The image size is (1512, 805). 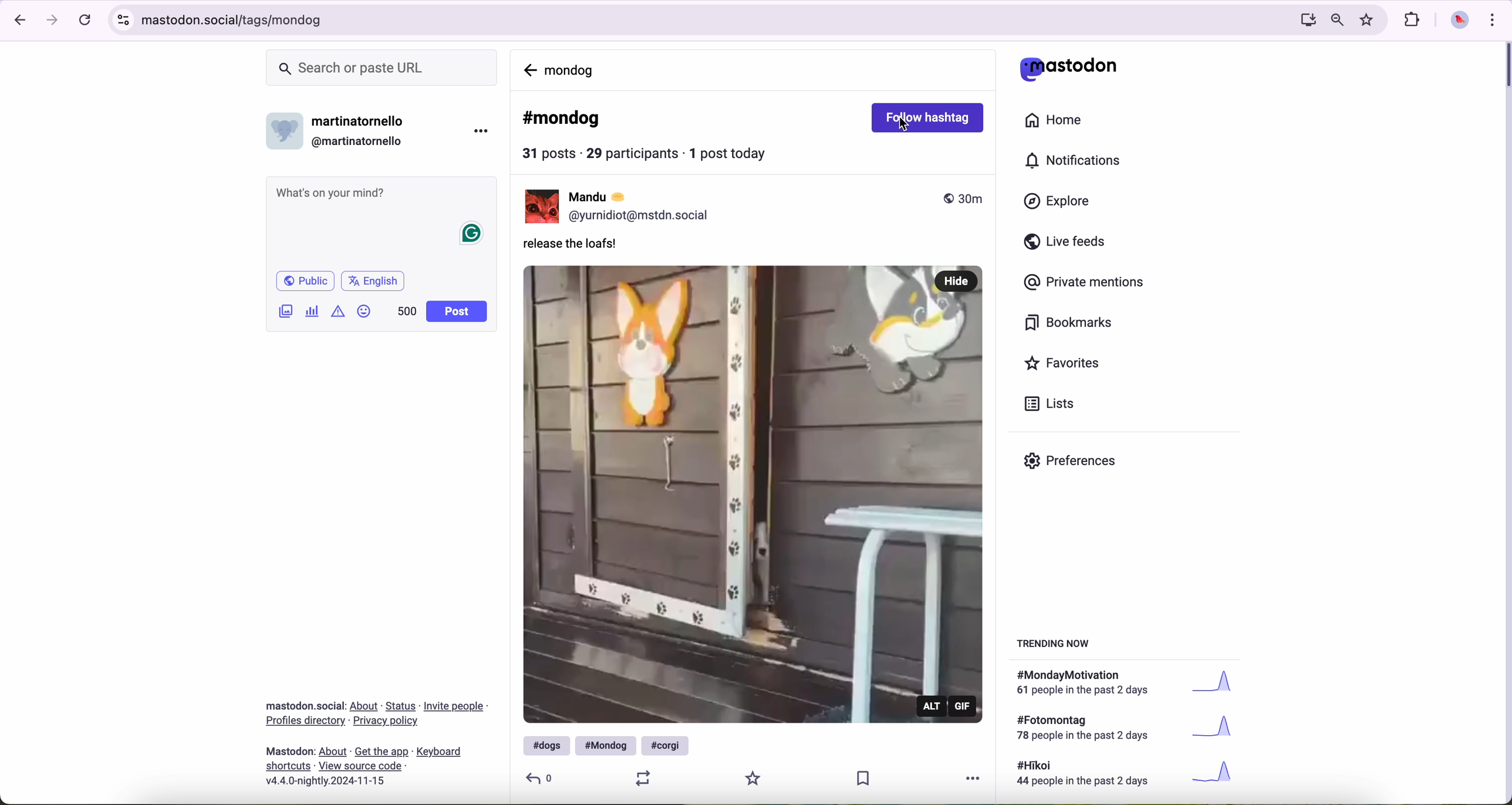 What do you see at coordinates (696, 22) in the screenshot?
I see `URL` at bounding box center [696, 22].